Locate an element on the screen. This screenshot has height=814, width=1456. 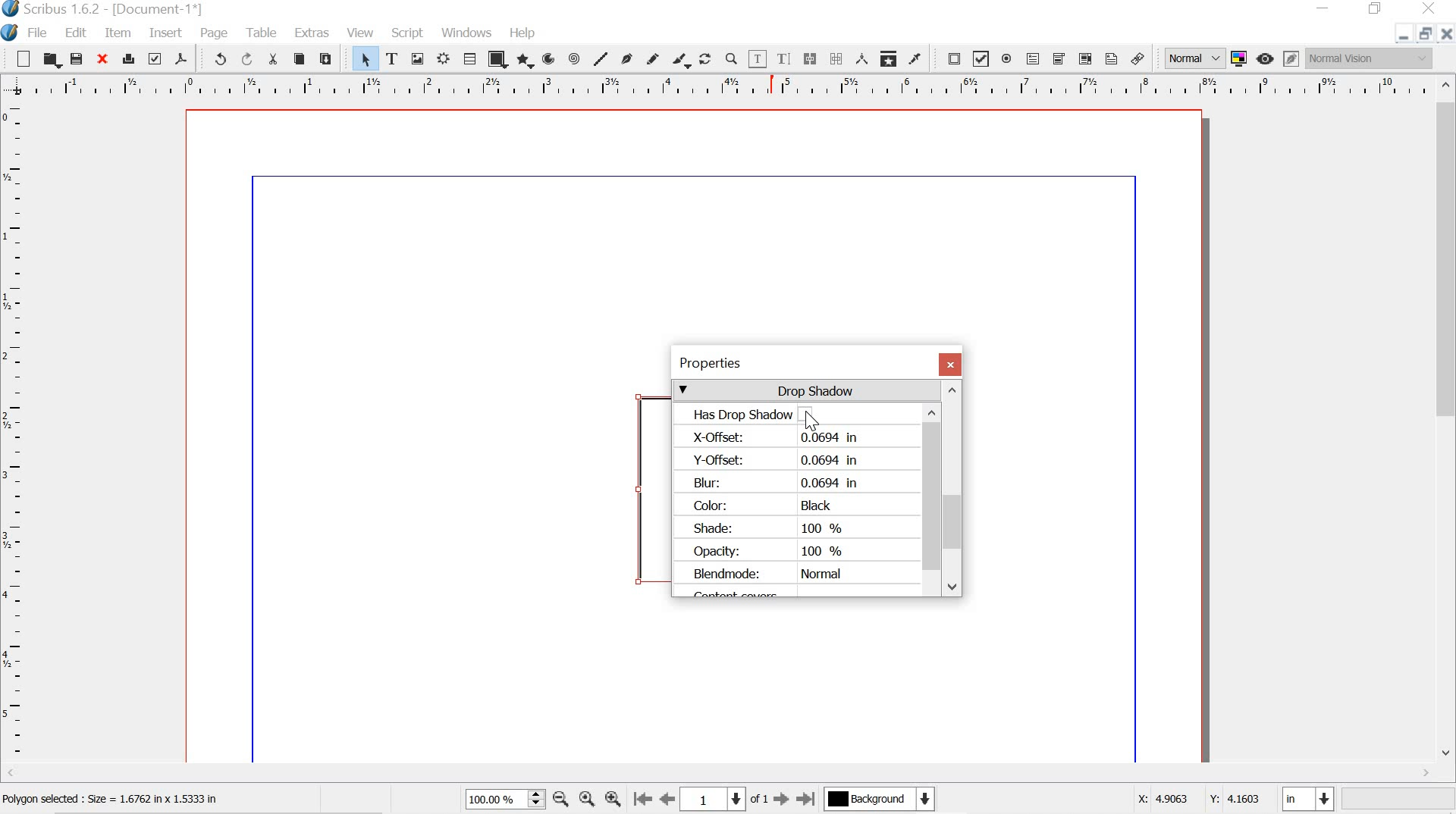
text annotation is located at coordinates (1111, 58).